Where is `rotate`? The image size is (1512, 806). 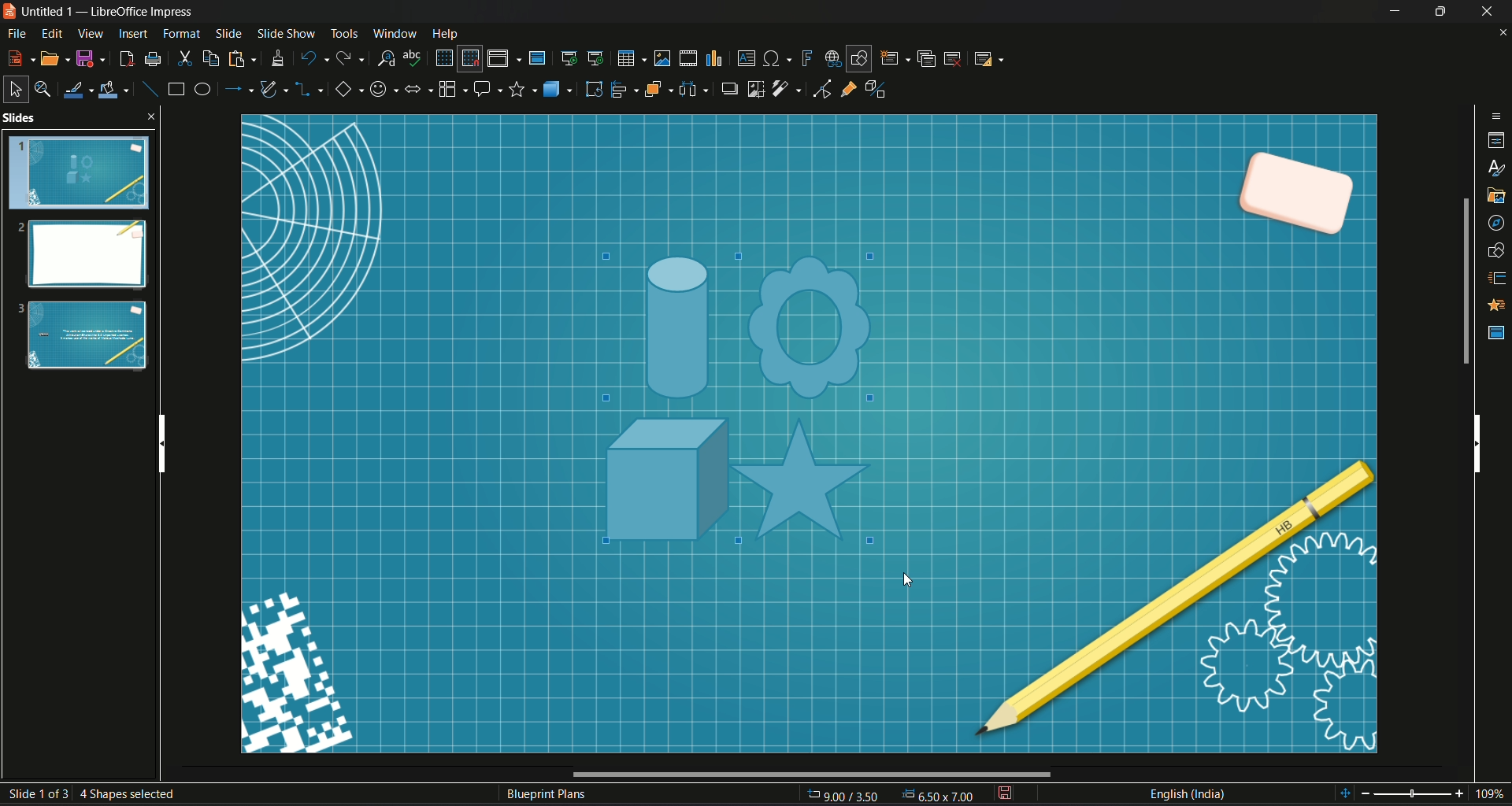 rotate is located at coordinates (594, 89).